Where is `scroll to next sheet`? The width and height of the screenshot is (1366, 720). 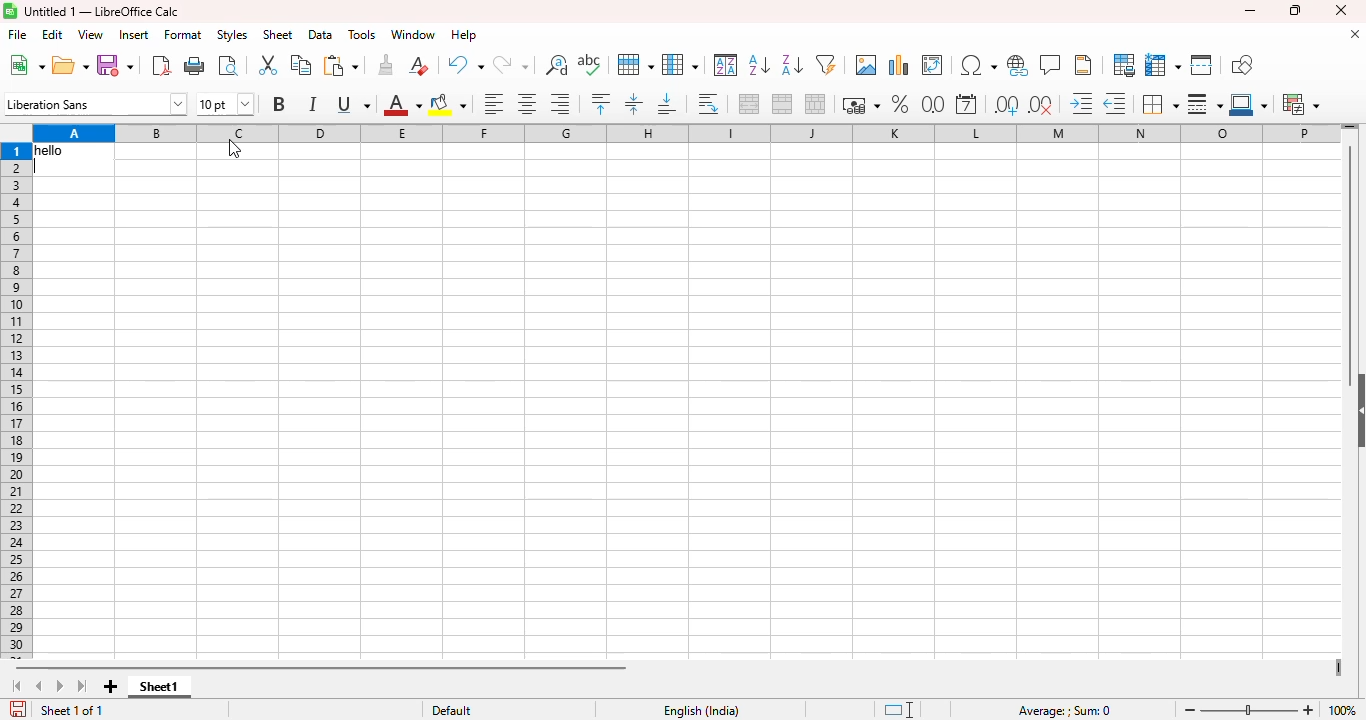 scroll to next sheet is located at coordinates (60, 685).